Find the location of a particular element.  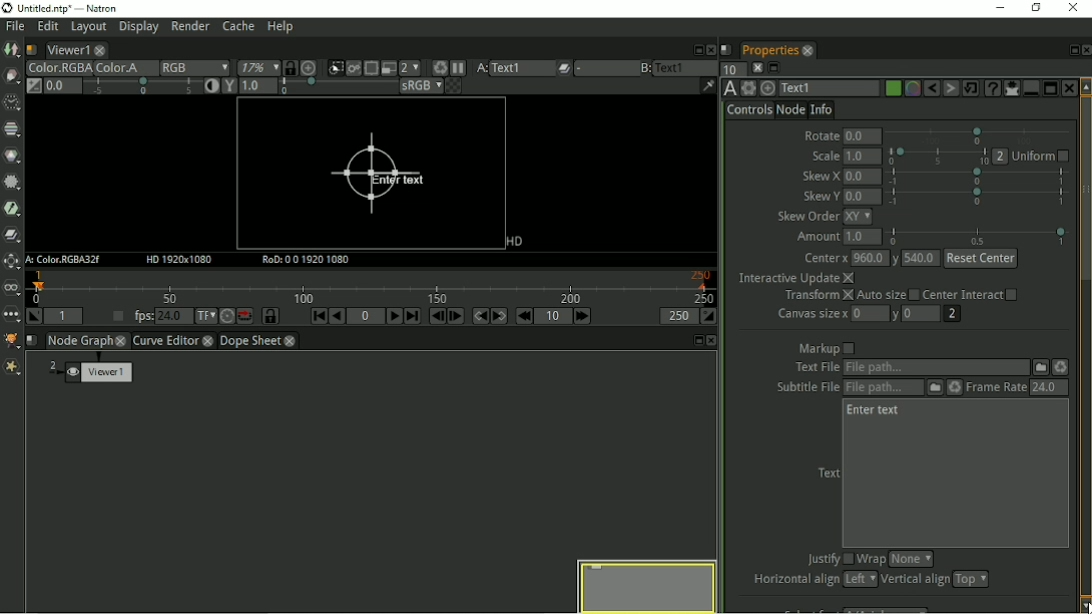

Interactive Update is located at coordinates (797, 278).